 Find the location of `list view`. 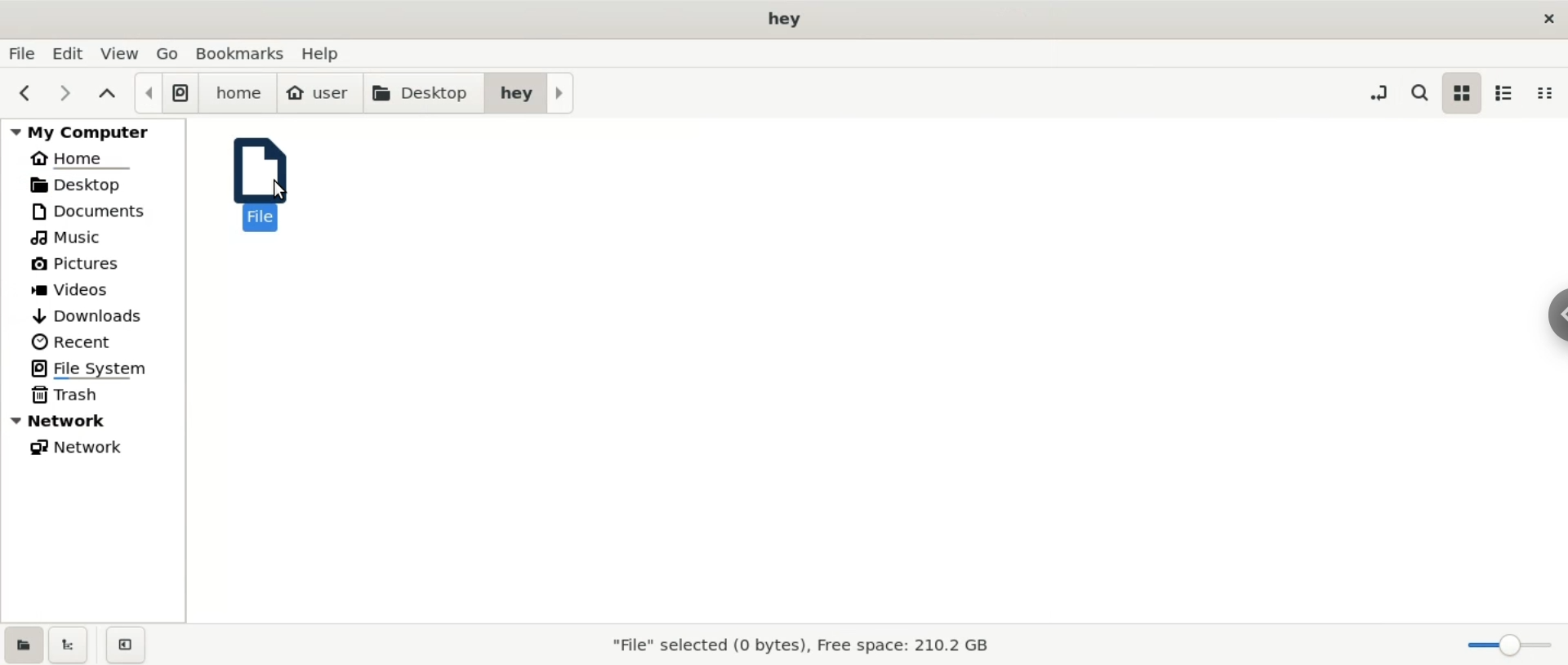

list view is located at coordinates (1509, 93).